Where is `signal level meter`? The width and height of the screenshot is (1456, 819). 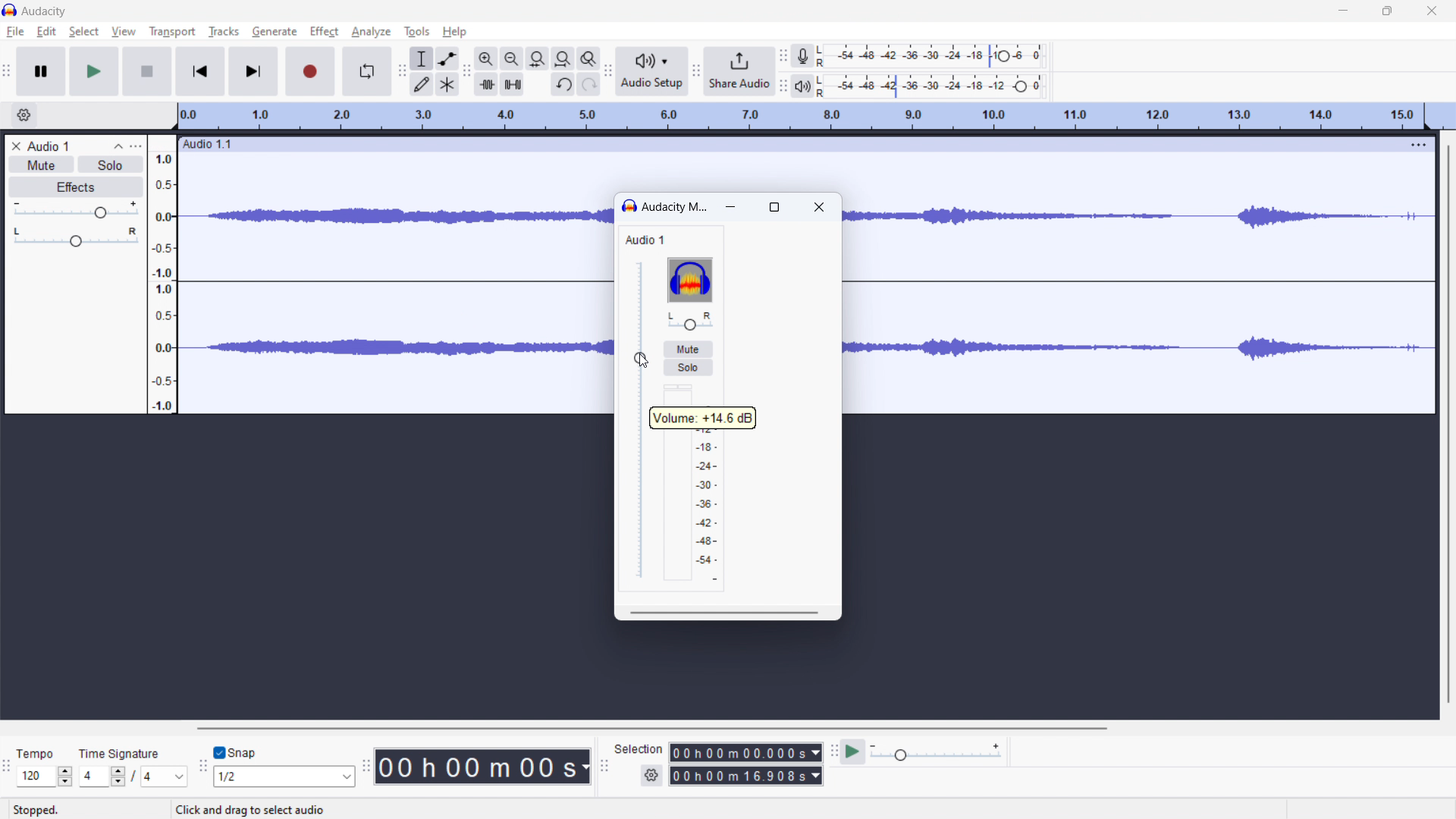 signal level meter is located at coordinates (699, 483).